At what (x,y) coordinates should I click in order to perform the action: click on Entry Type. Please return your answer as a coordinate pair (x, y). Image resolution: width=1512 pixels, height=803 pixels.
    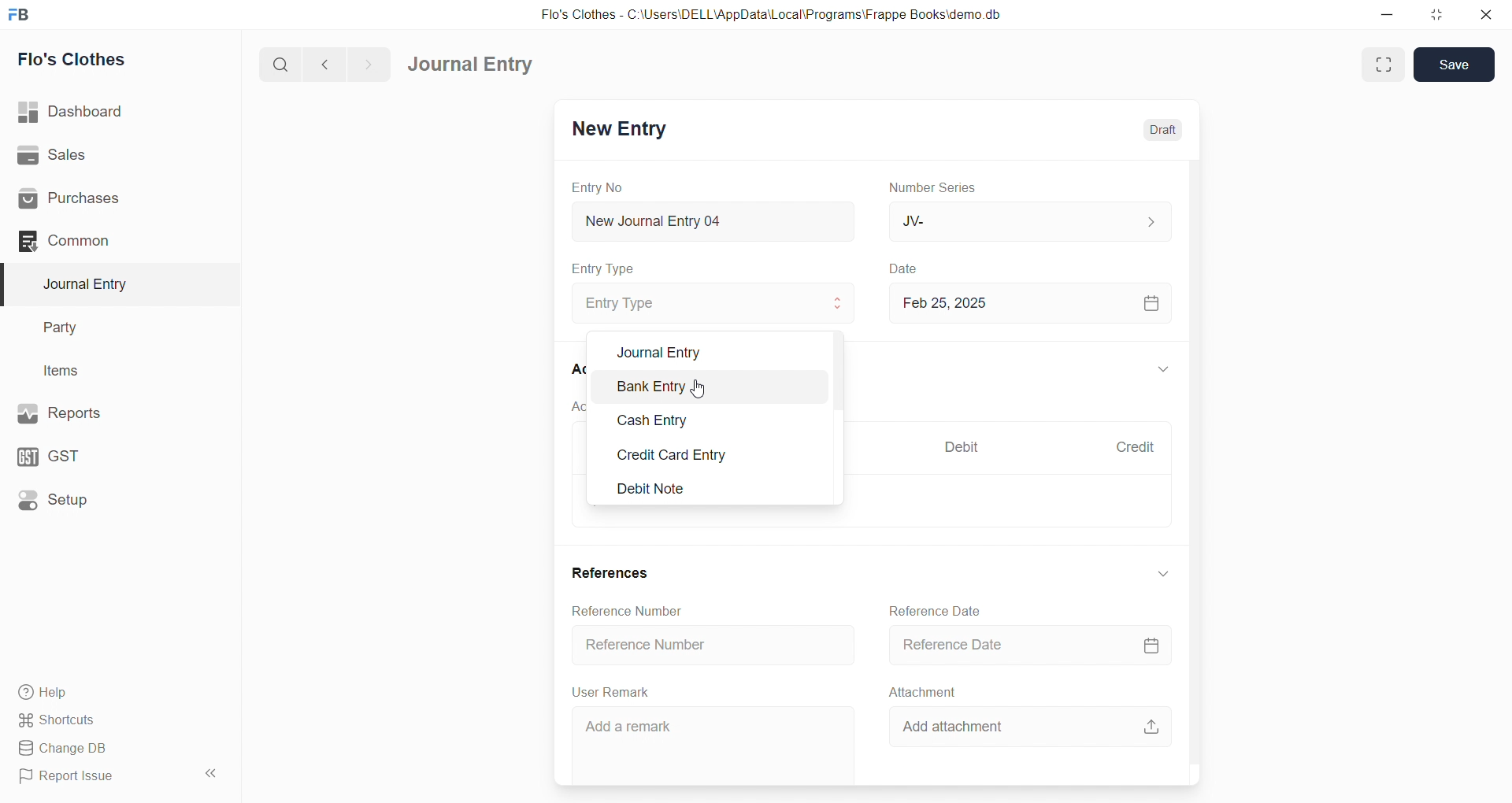
    Looking at the image, I should click on (603, 268).